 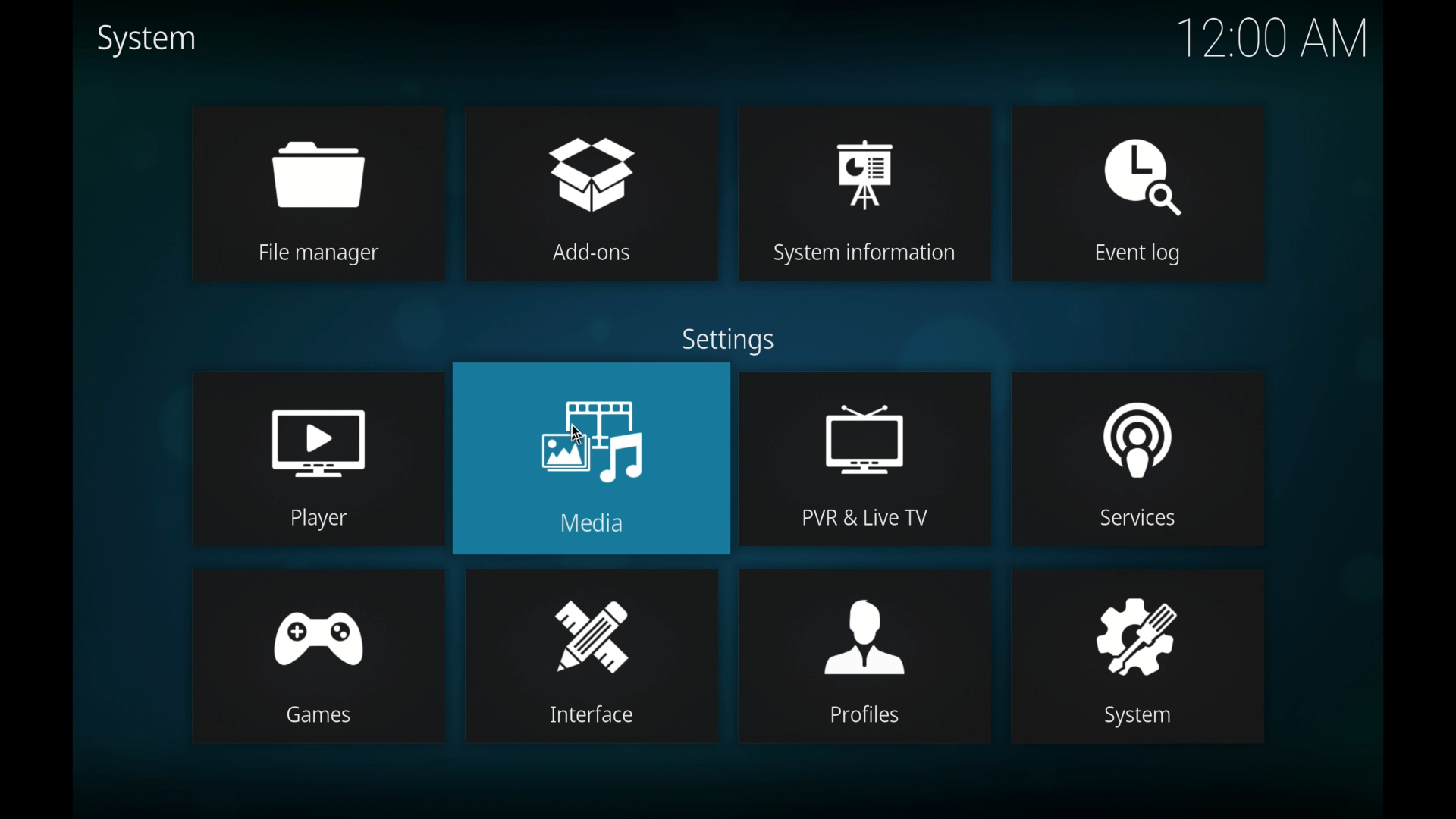 What do you see at coordinates (1275, 38) in the screenshot?
I see `12.00 am` at bounding box center [1275, 38].